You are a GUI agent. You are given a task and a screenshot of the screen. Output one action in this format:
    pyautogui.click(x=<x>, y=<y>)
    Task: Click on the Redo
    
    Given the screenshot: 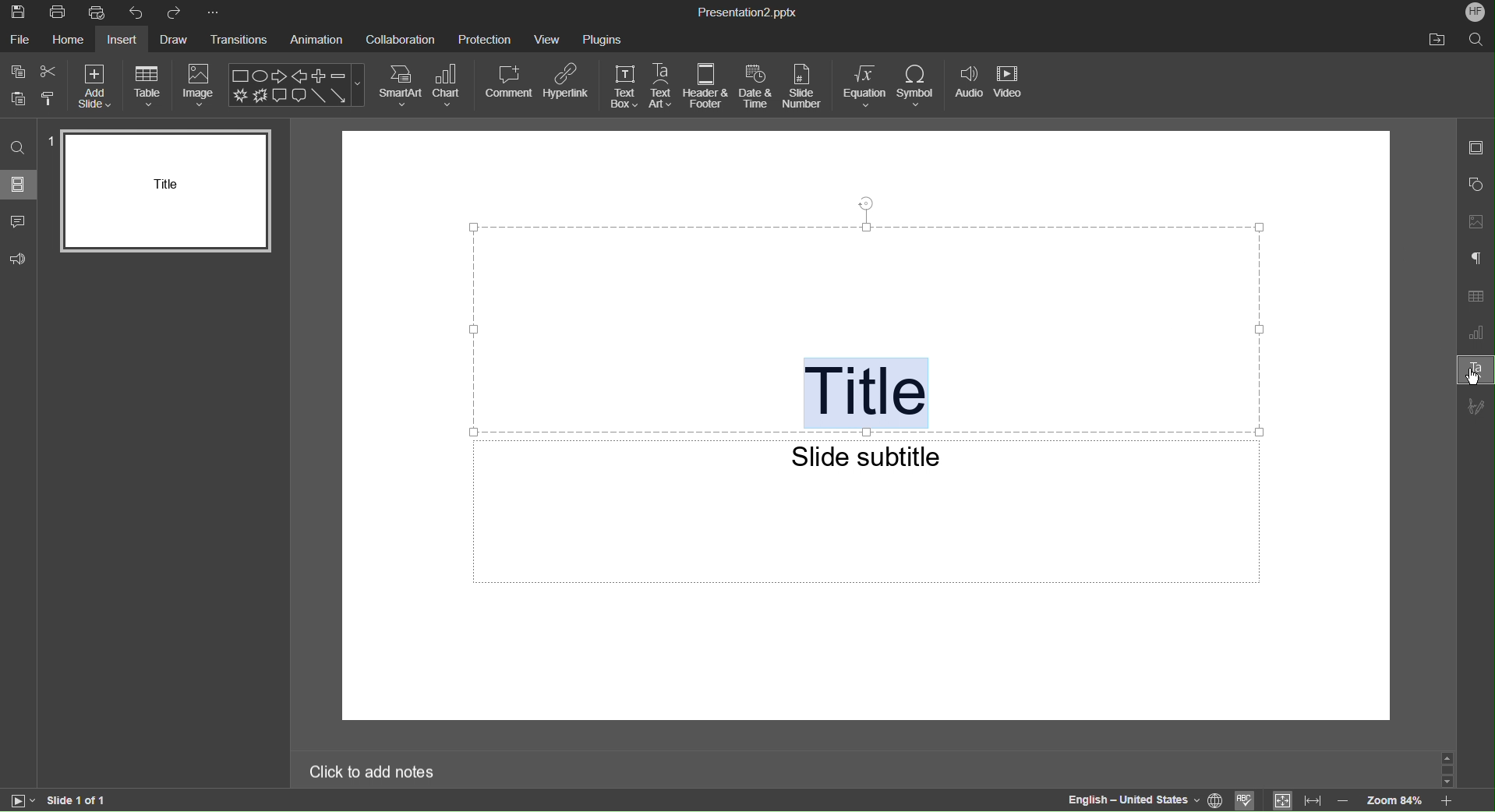 What is the action you would take?
    pyautogui.click(x=176, y=12)
    